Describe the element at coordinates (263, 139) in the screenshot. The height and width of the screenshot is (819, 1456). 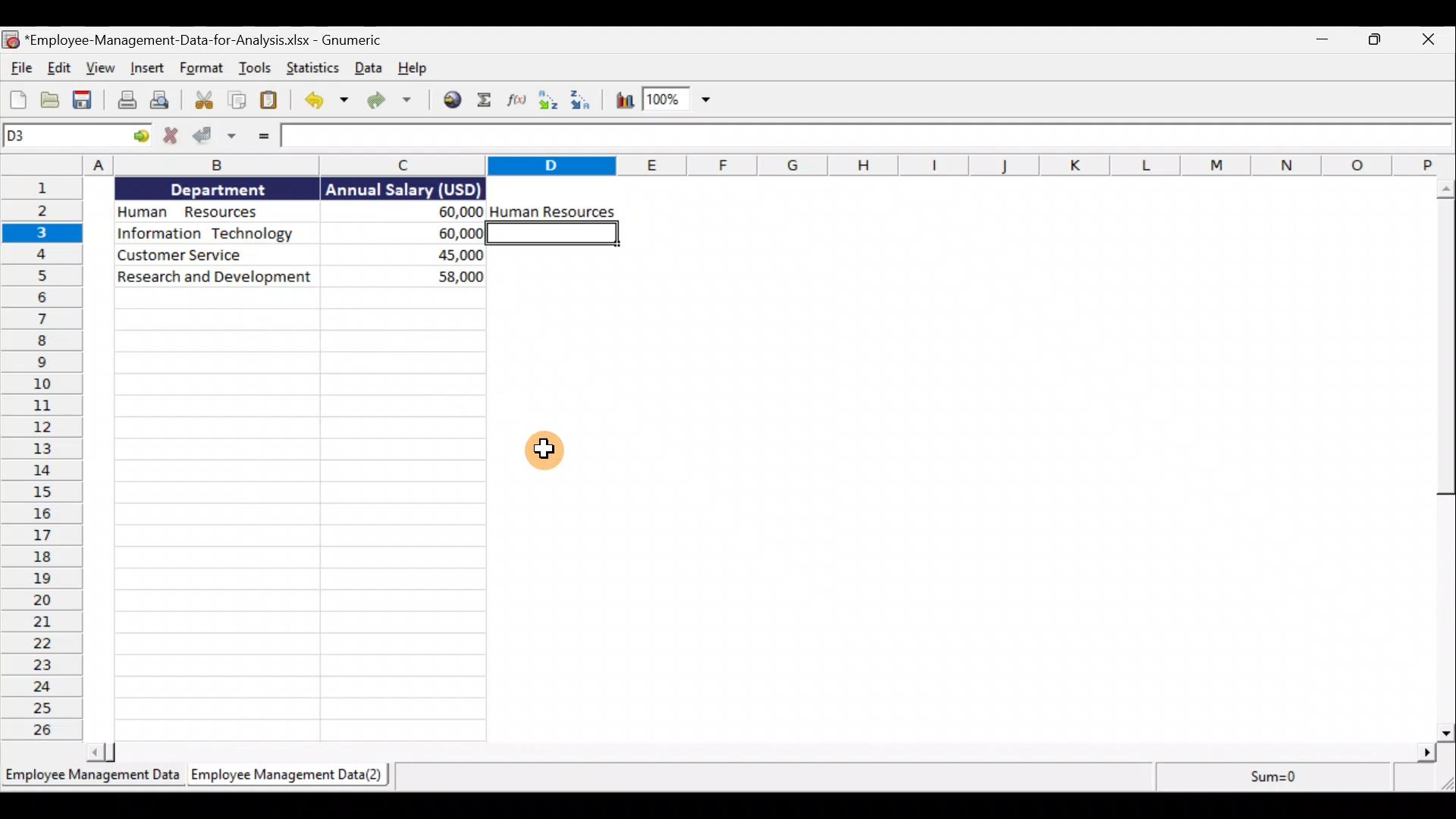
I see `Enter Formula` at that location.